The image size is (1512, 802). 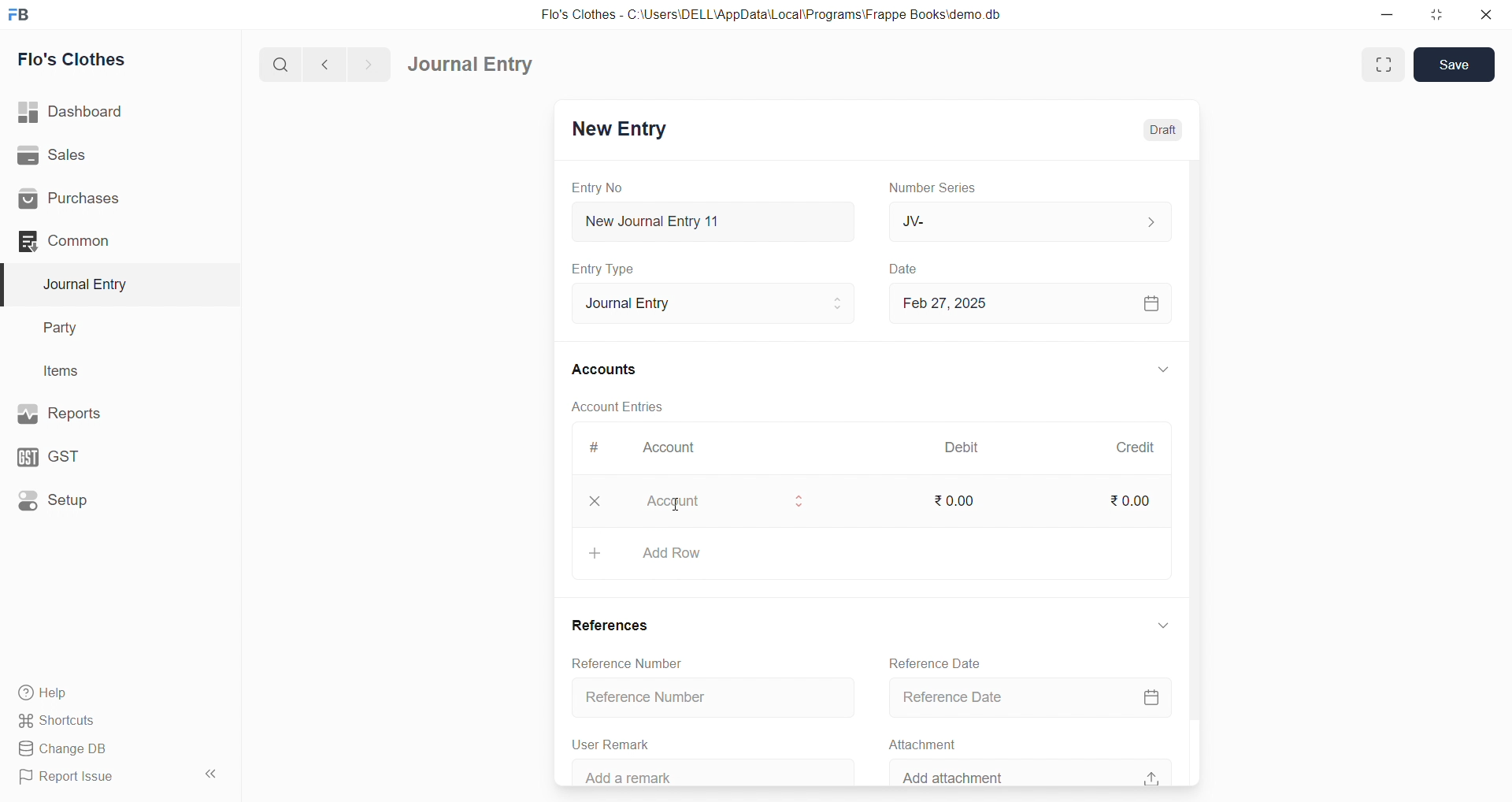 What do you see at coordinates (327, 65) in the screenshot?
I see `navigate backward` at bounding box center [327, 65].